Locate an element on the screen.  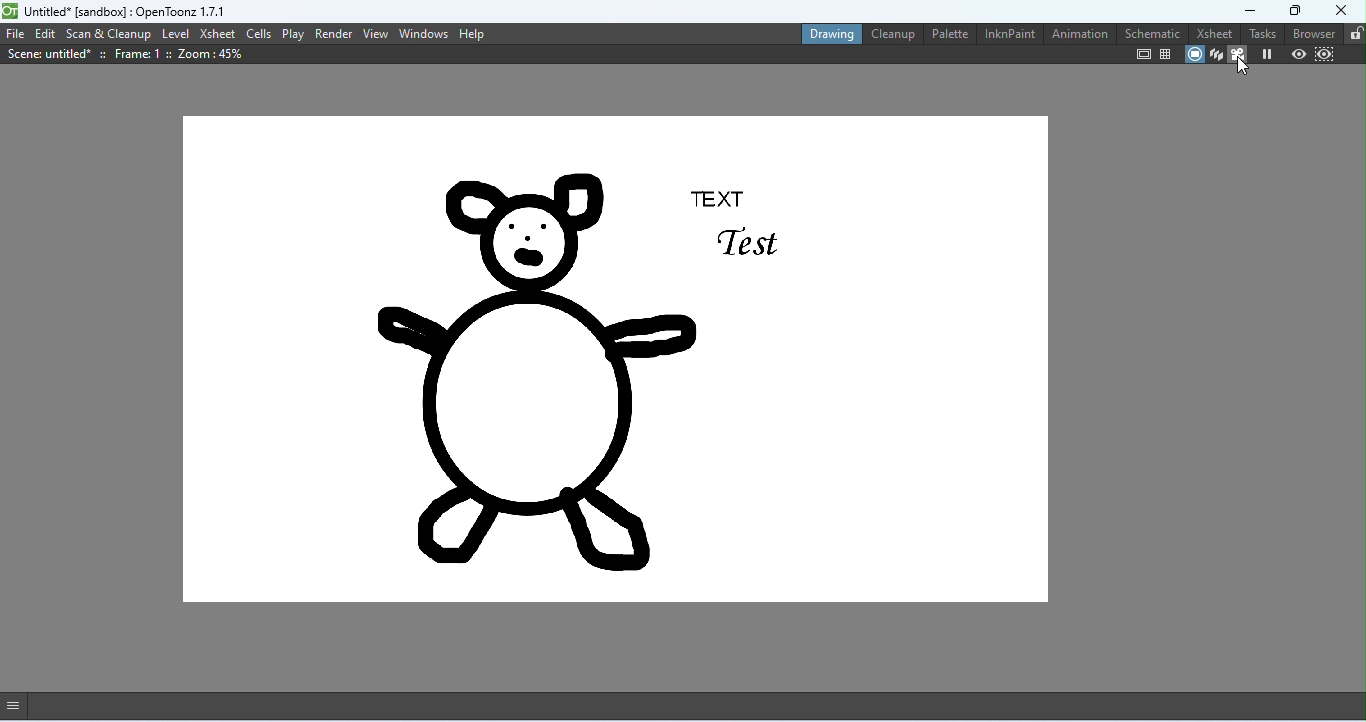
InknPaint is located at coordinates (1010, 35).